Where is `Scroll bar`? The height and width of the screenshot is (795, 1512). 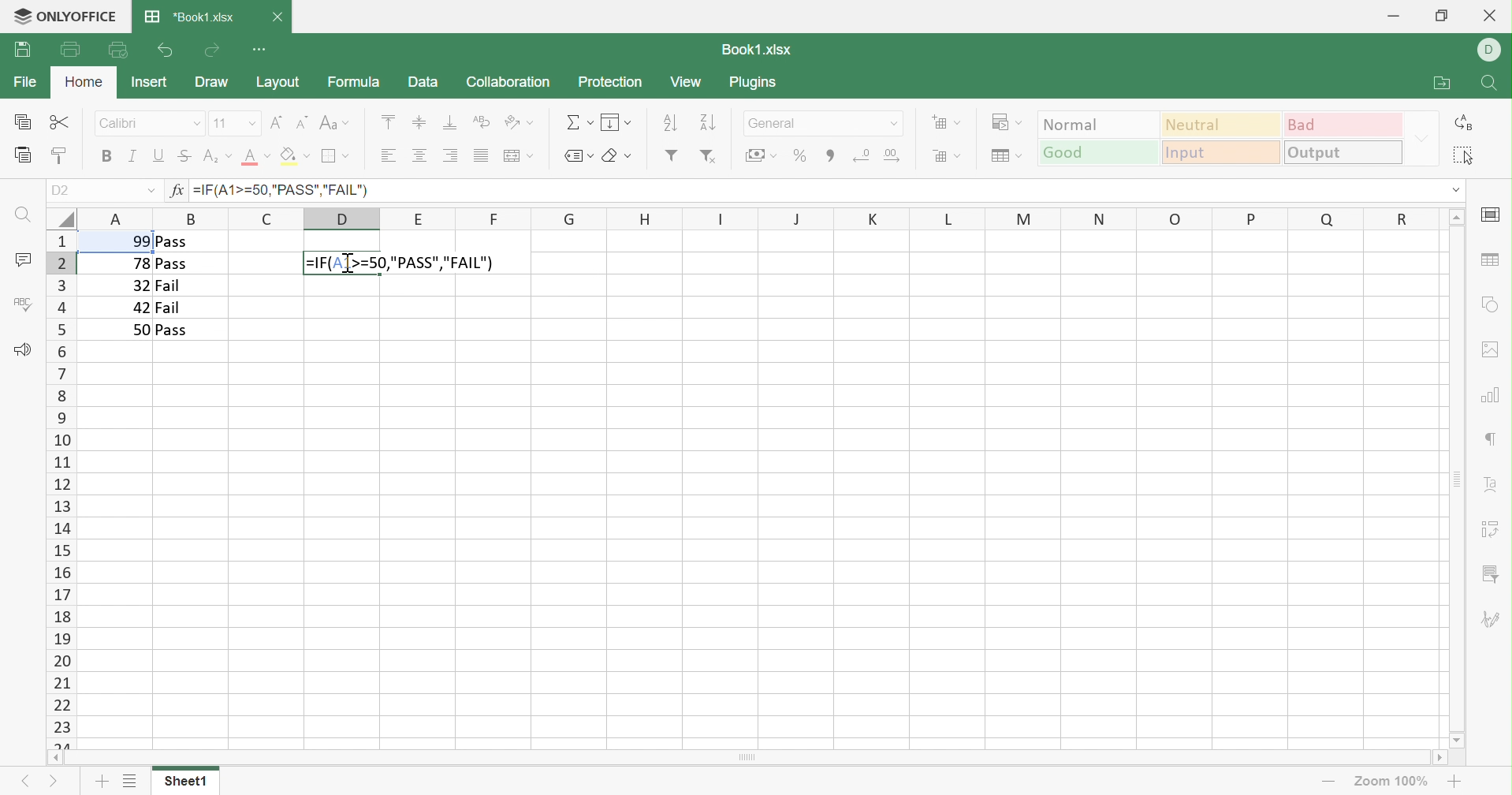
Scroll bar is located at coordinates (1456, 479).